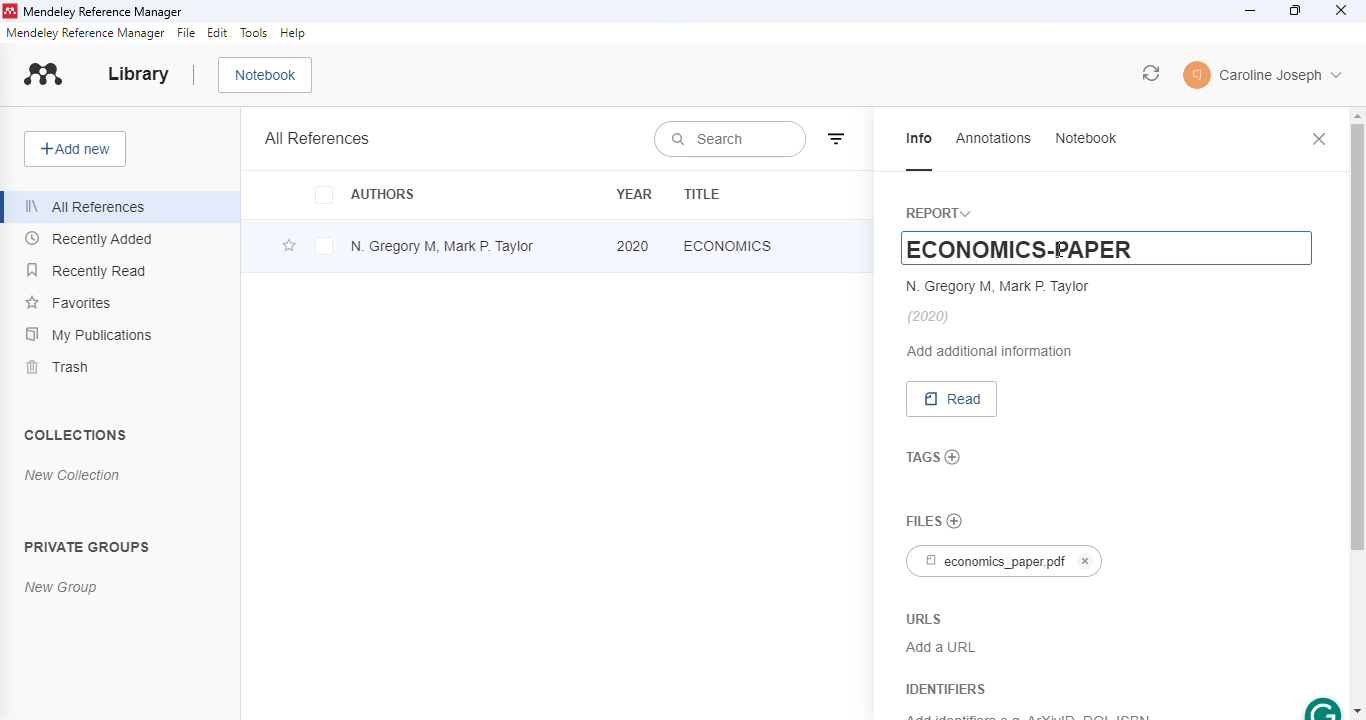 The width and height of the screenshot is (1366, 720). What do you see at coordinates (1087, 561) in the screenshot?
I see `cancel` at bounding box center [1087, 561].